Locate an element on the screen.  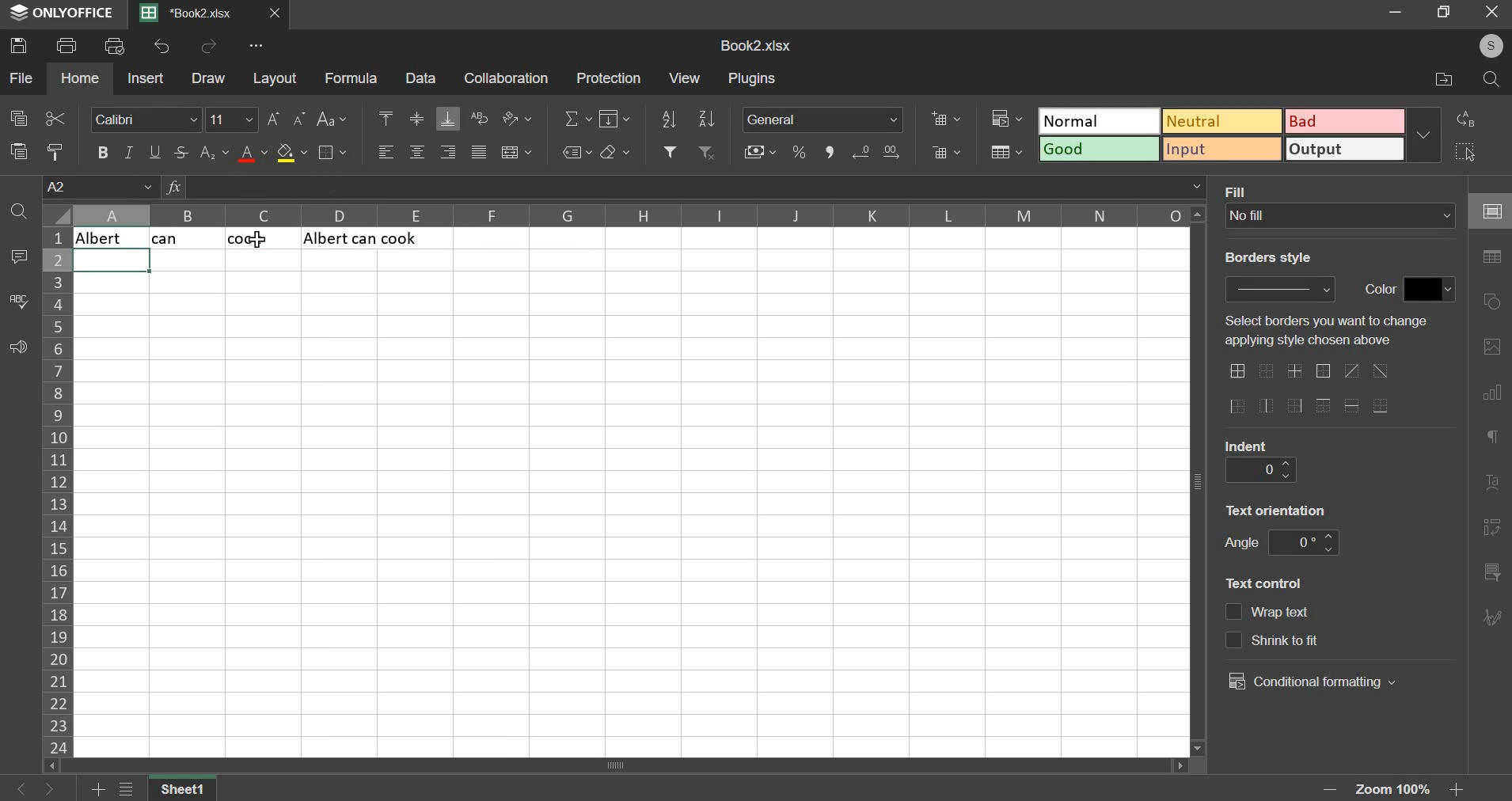
text is located at coordinates (1283, 614).